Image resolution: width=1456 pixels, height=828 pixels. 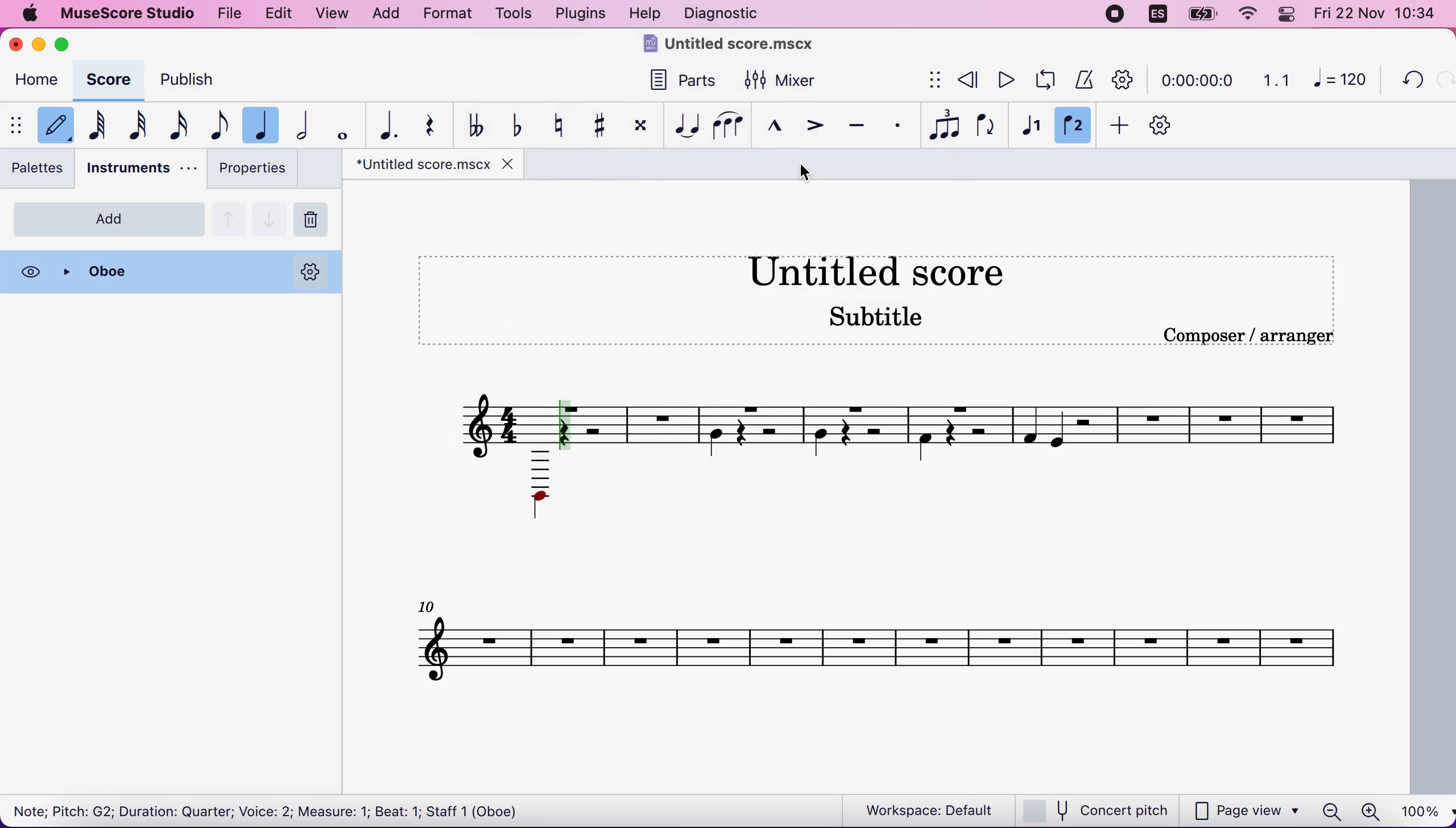 I want to click on 64th note, so click(x=104, y=123).